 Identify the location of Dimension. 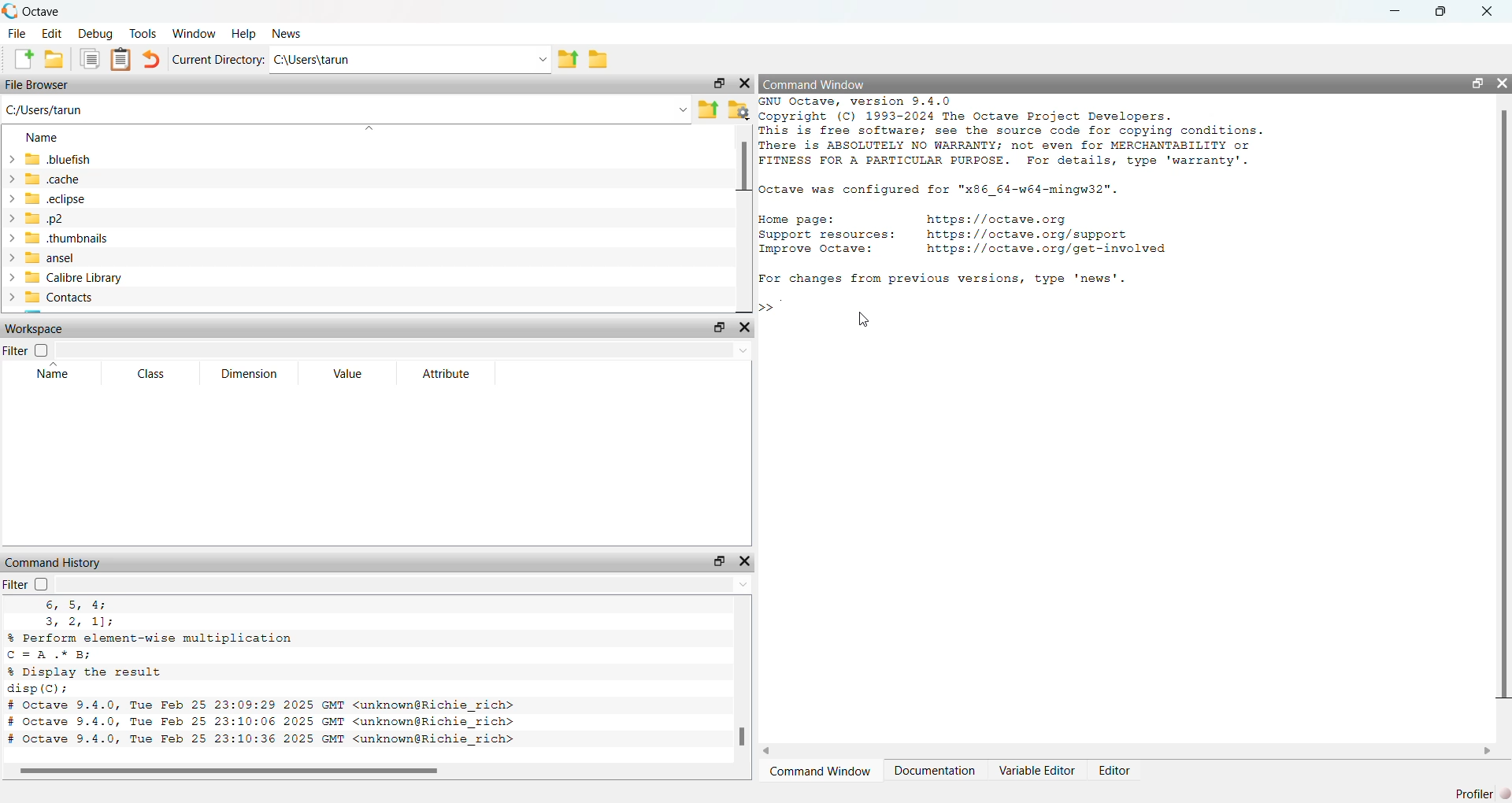
(253, 374).